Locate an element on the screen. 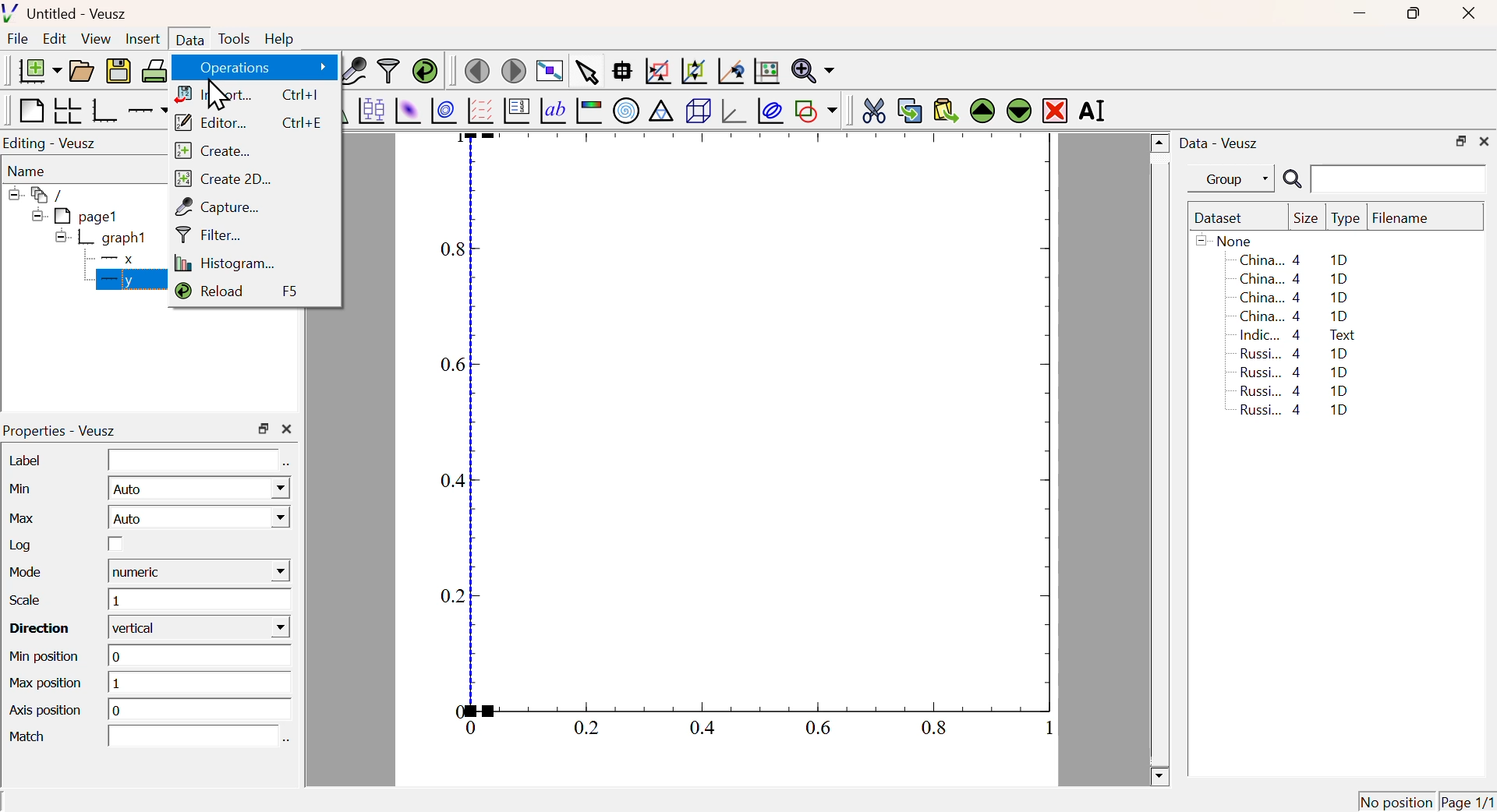  View plot fullscreen is located at coordinates (547, 72).